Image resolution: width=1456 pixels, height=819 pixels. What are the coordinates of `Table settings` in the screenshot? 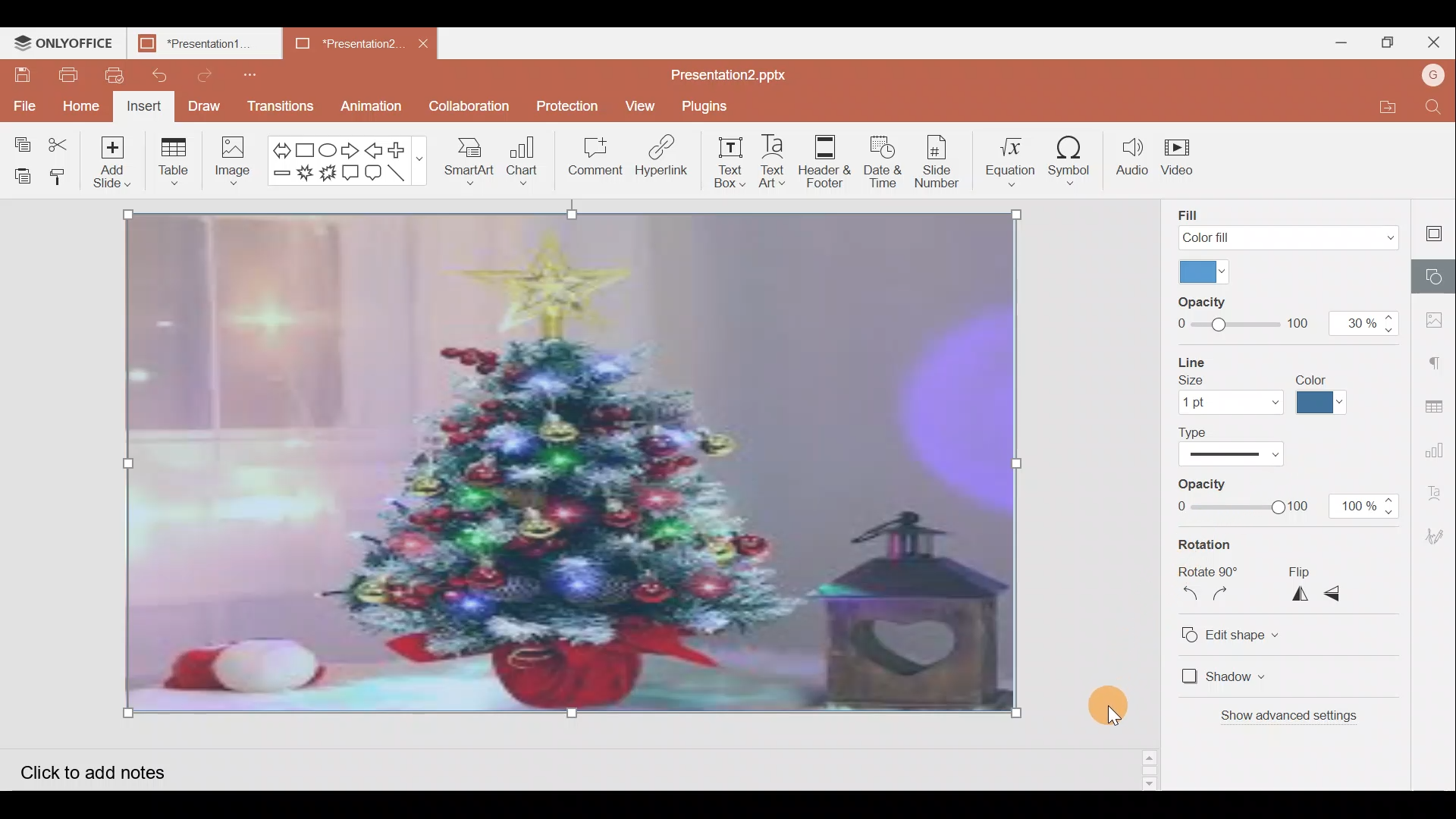 It's located at (1438, 398).